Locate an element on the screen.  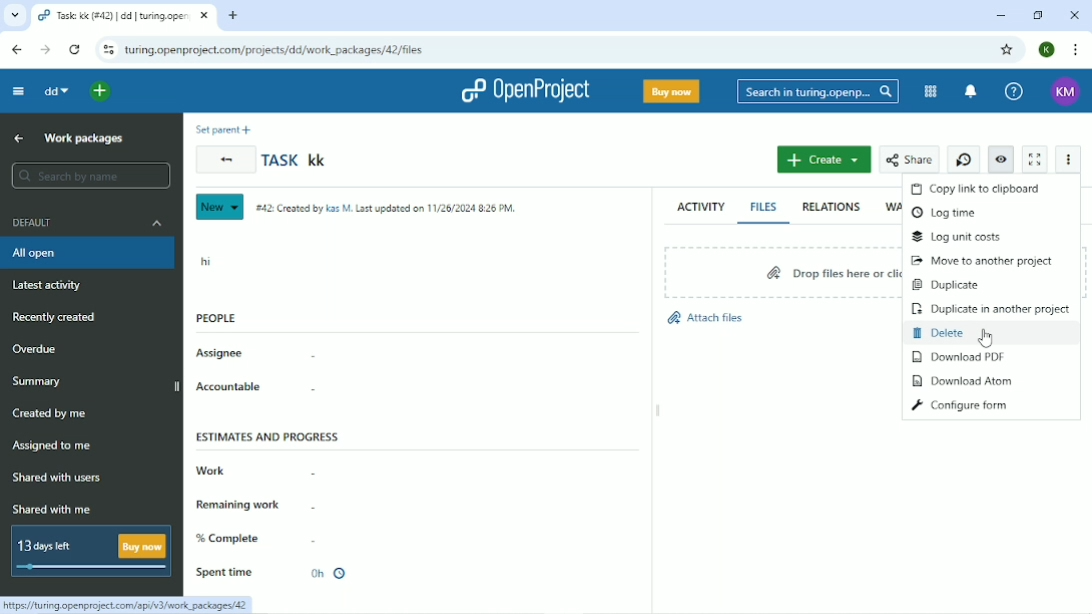
Log unit costs is located at coordinates (959, 237).